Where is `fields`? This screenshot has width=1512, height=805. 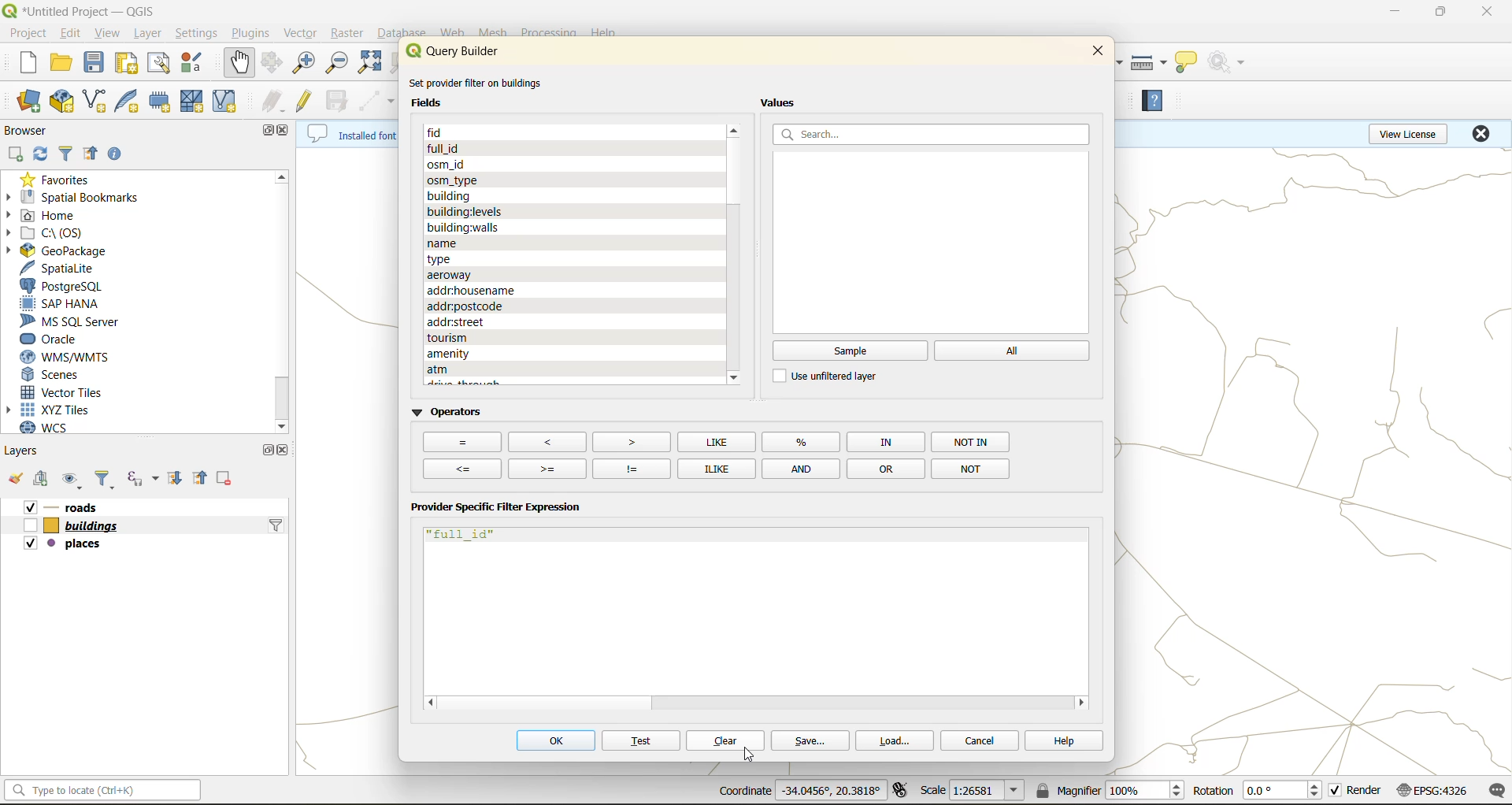
fields is located at coordinates (453, 195).